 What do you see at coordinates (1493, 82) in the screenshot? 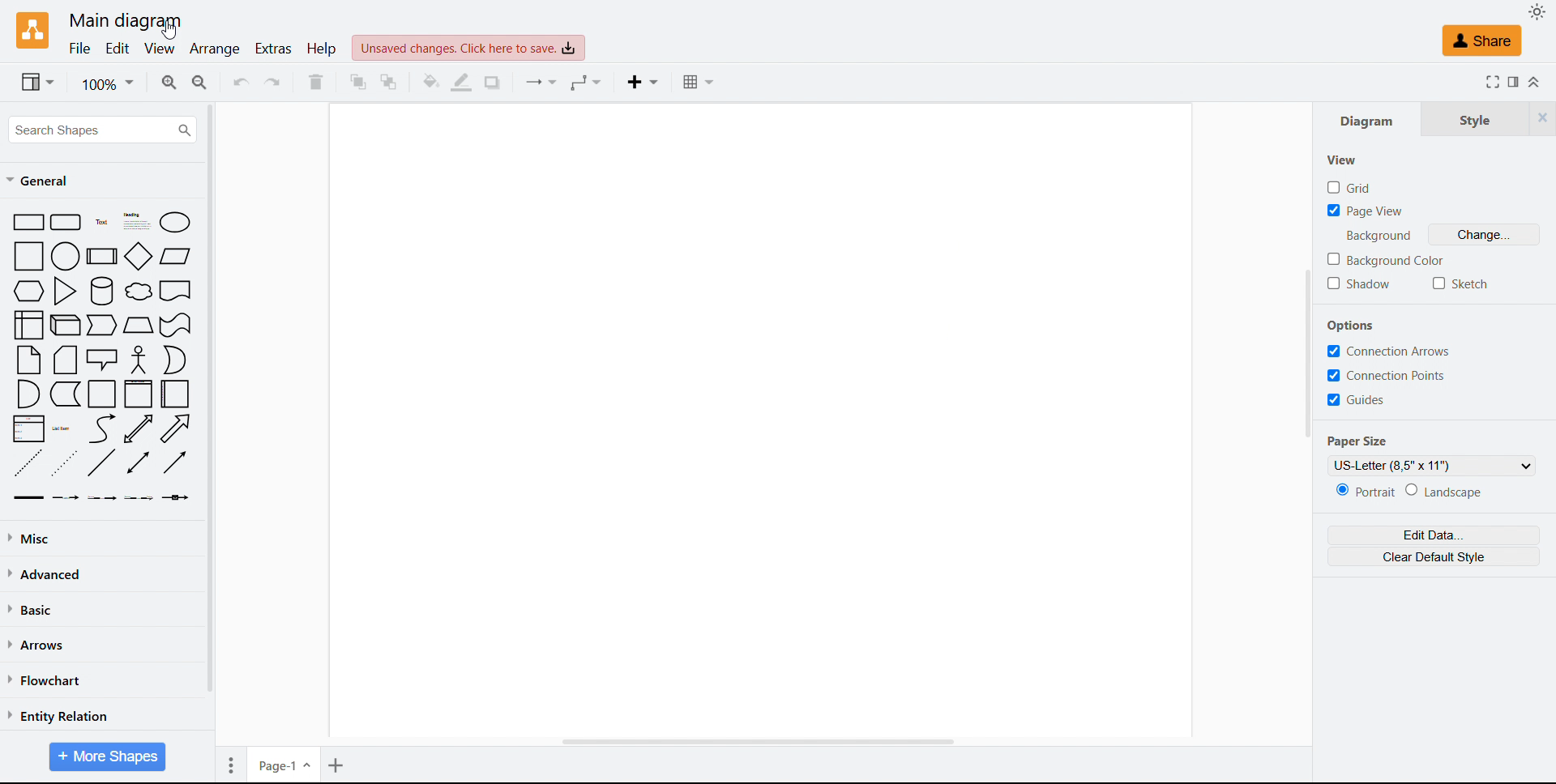
I see `Full screen ` at bounding box center [1493, 82].